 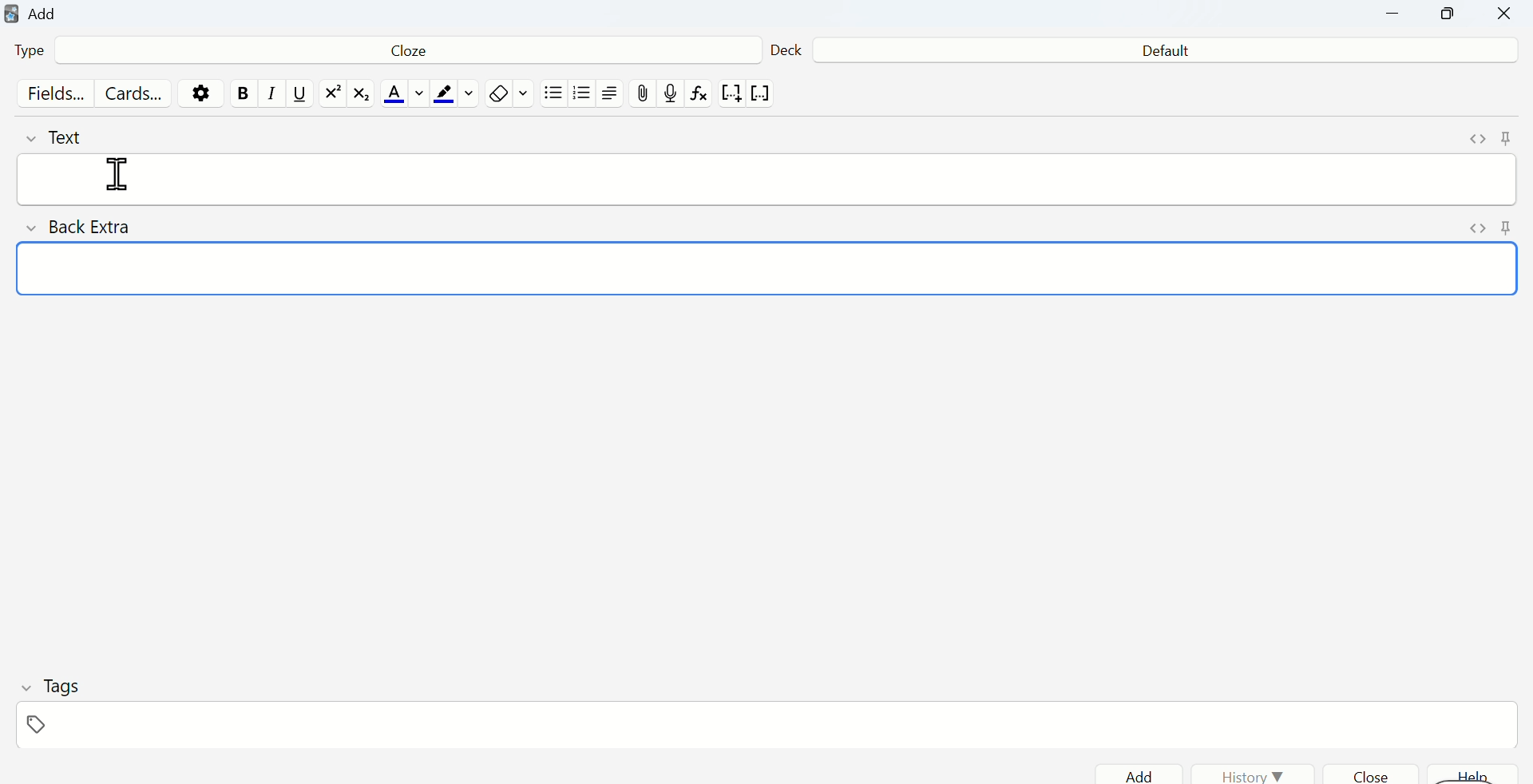 What do you see at coordinates (1475, 138) in the screenshot?
I see `Expand` at bounding box center [1475, 138].